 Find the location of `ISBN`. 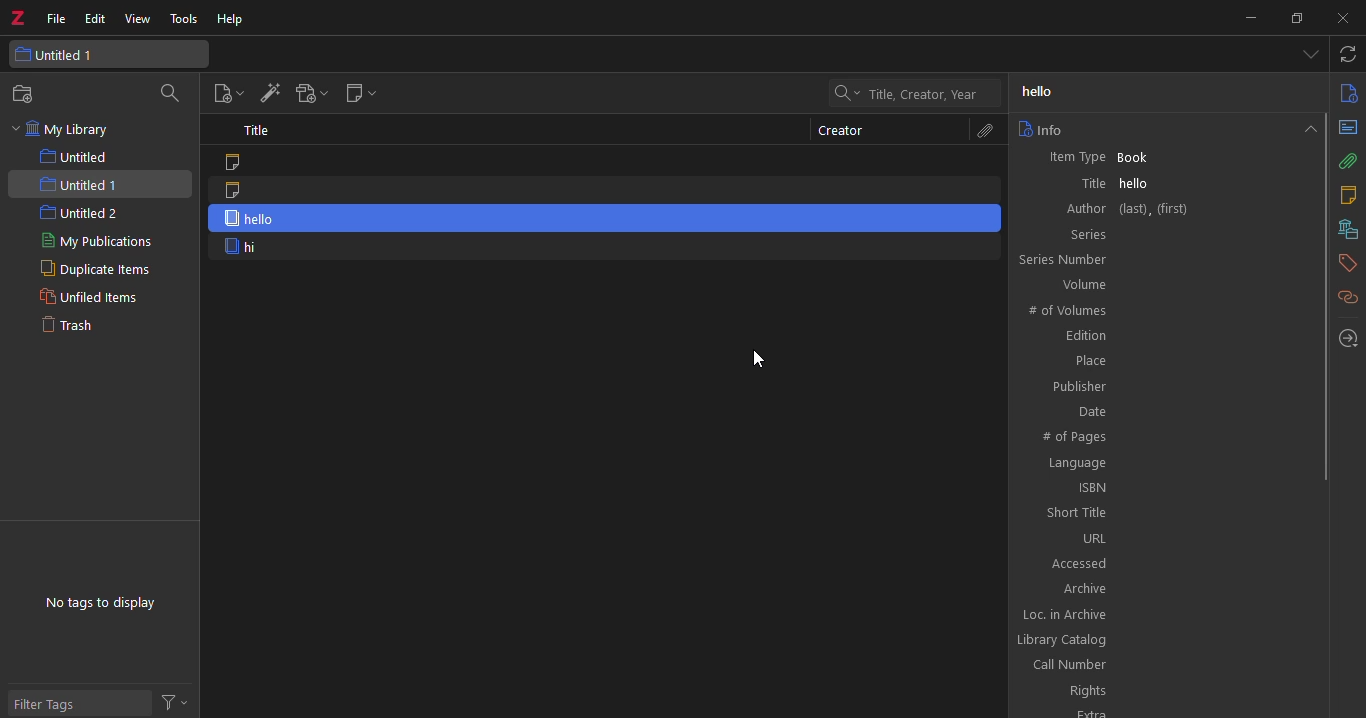

ISBN is located at coordinates (1165, 487).